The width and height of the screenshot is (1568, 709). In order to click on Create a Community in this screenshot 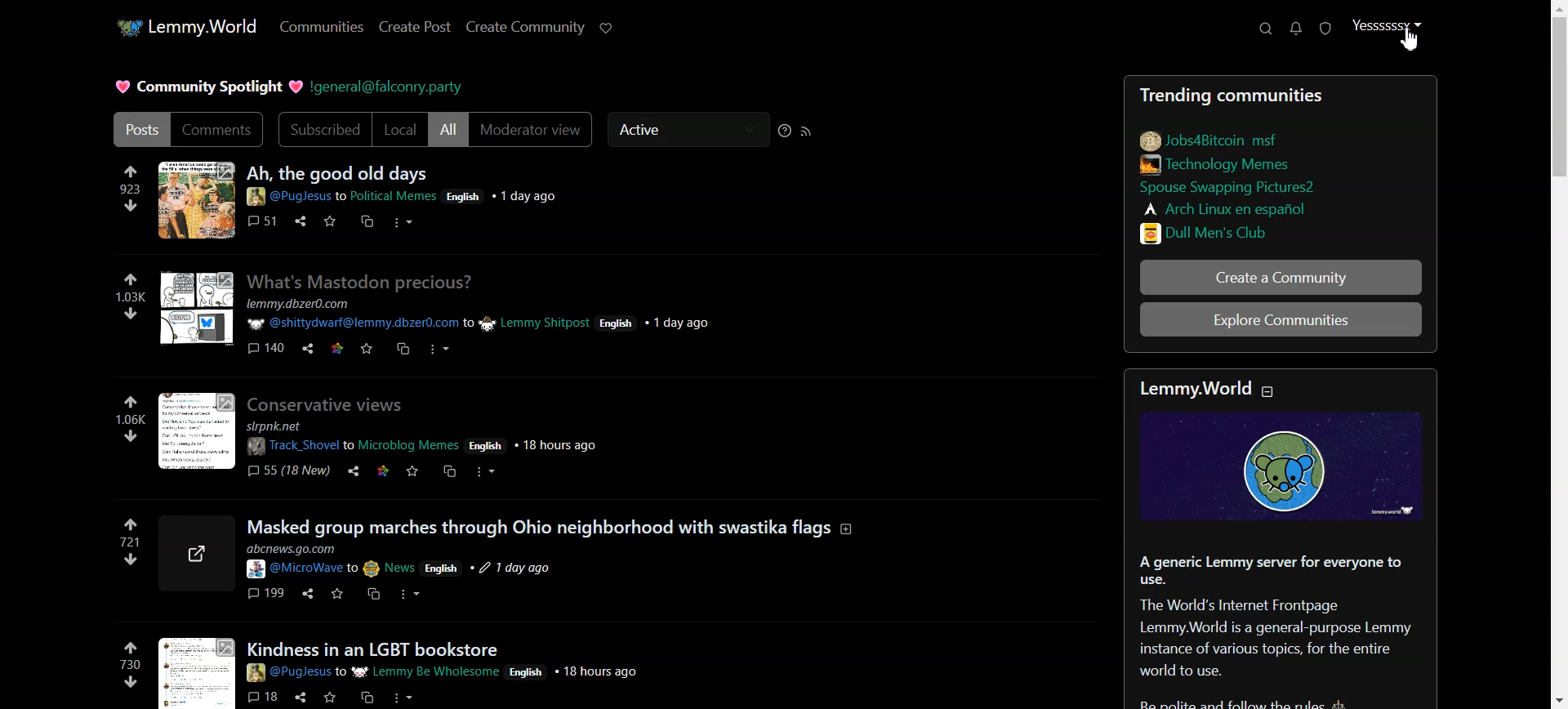, I will do `click(1279, 277)`.